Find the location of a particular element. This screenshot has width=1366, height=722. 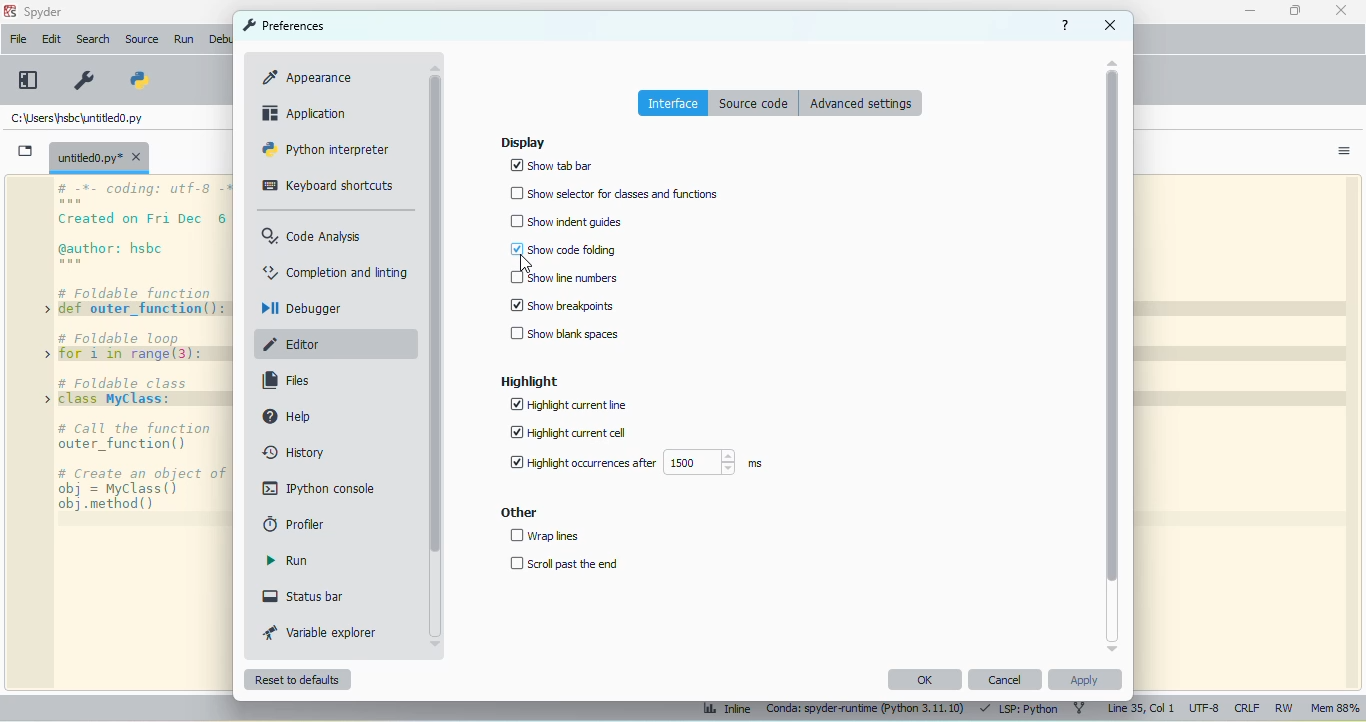

help is located at coordinates (287, 416).